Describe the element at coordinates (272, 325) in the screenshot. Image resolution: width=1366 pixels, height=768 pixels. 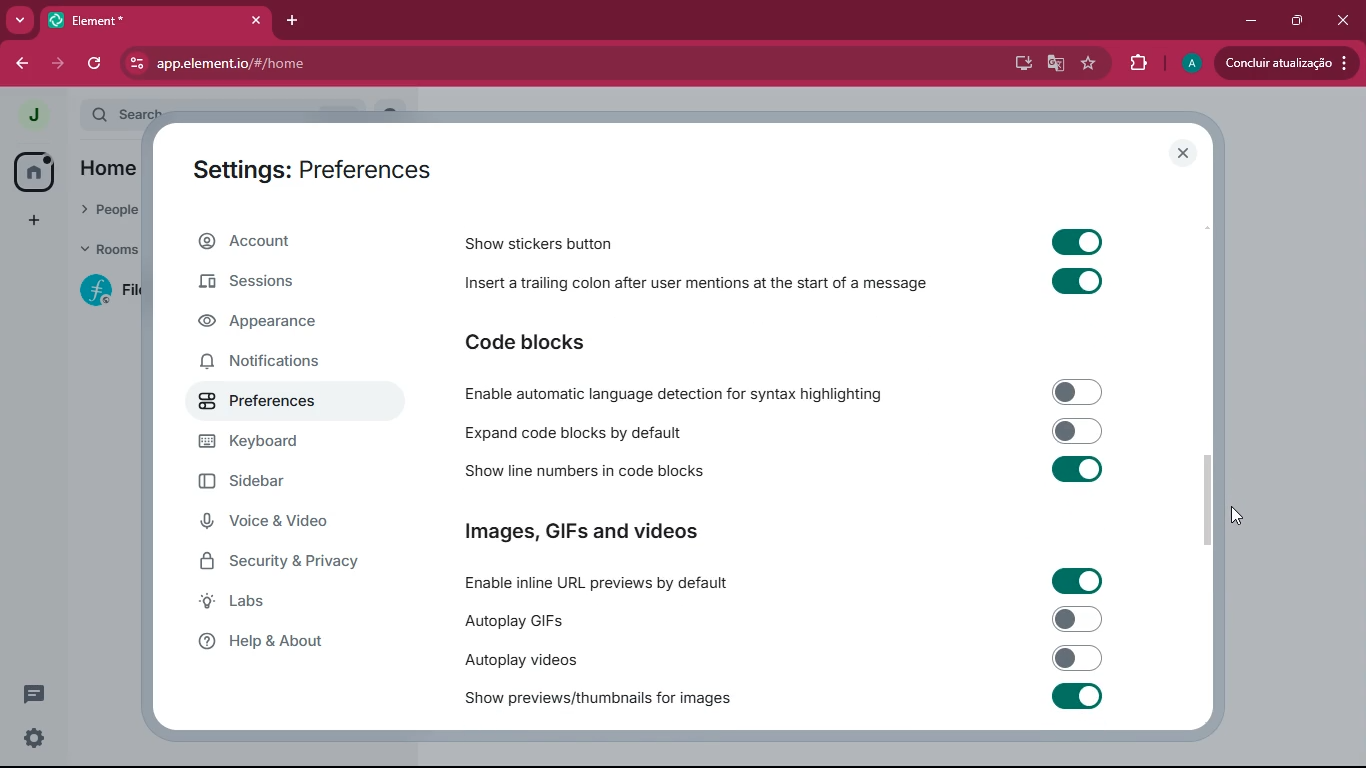
I see `appearance` at that location.